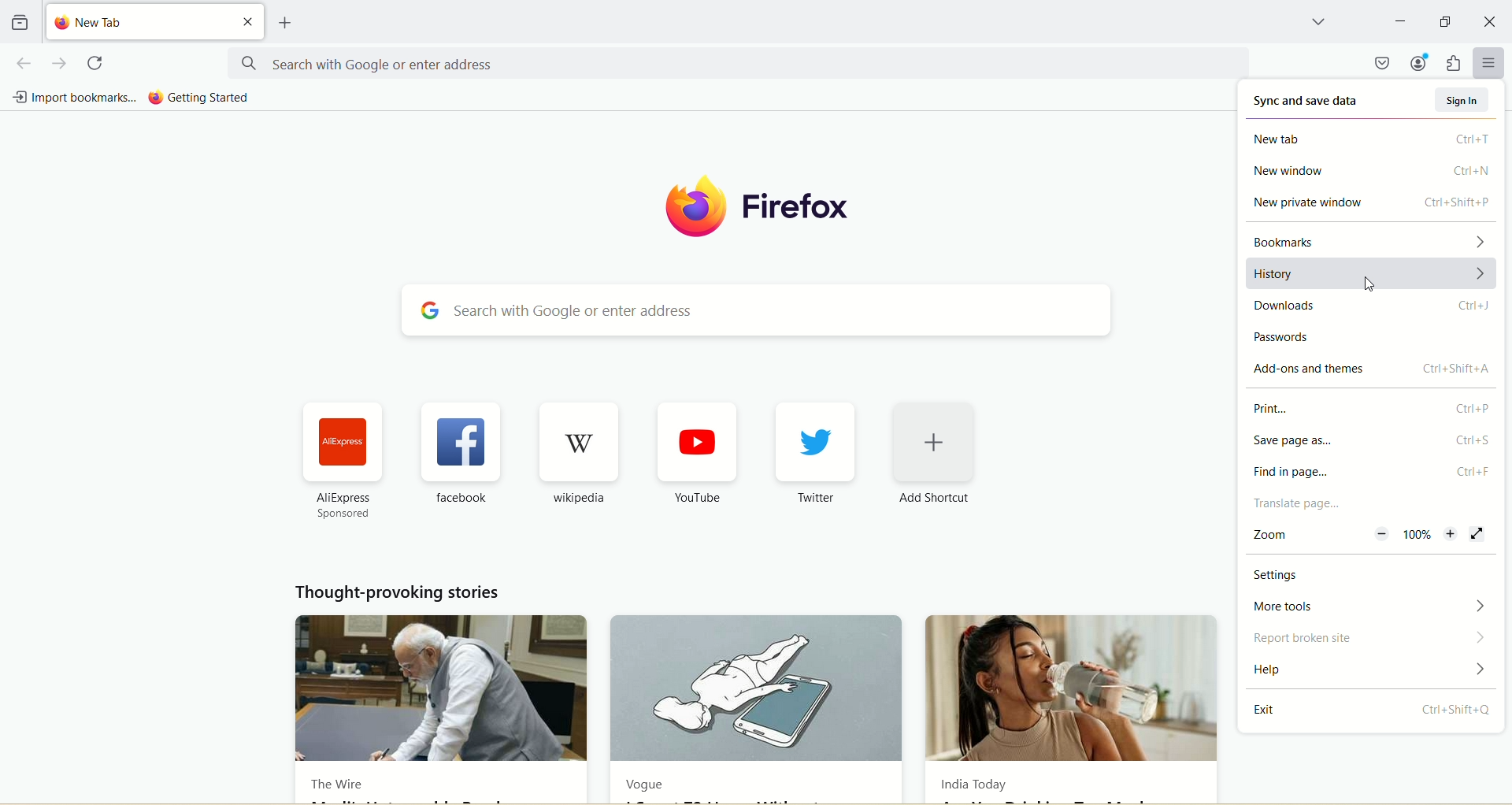  I want to click on youtube, so click(699, 442).